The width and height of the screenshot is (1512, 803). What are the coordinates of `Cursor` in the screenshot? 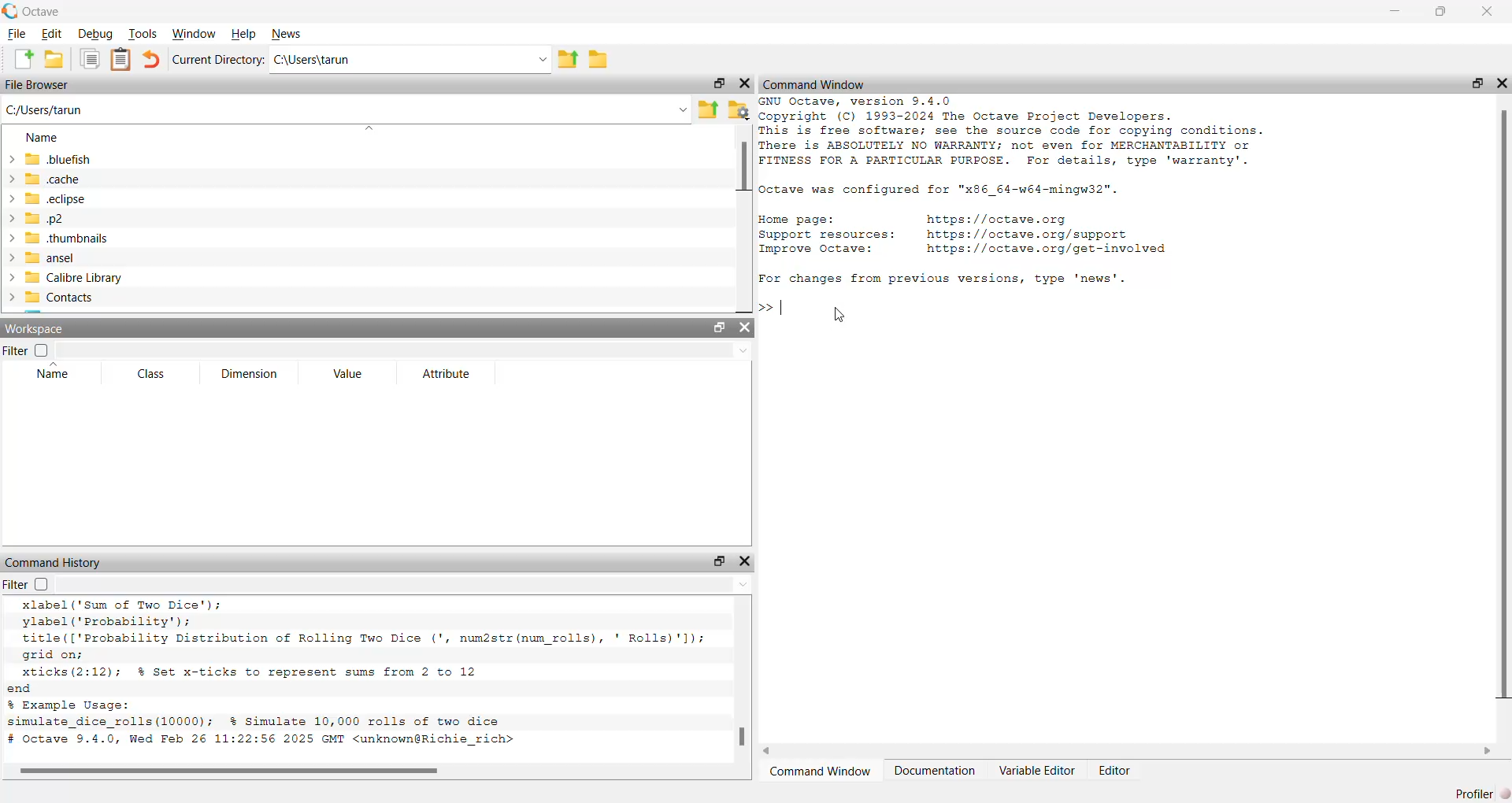 It's located at (839, 314).